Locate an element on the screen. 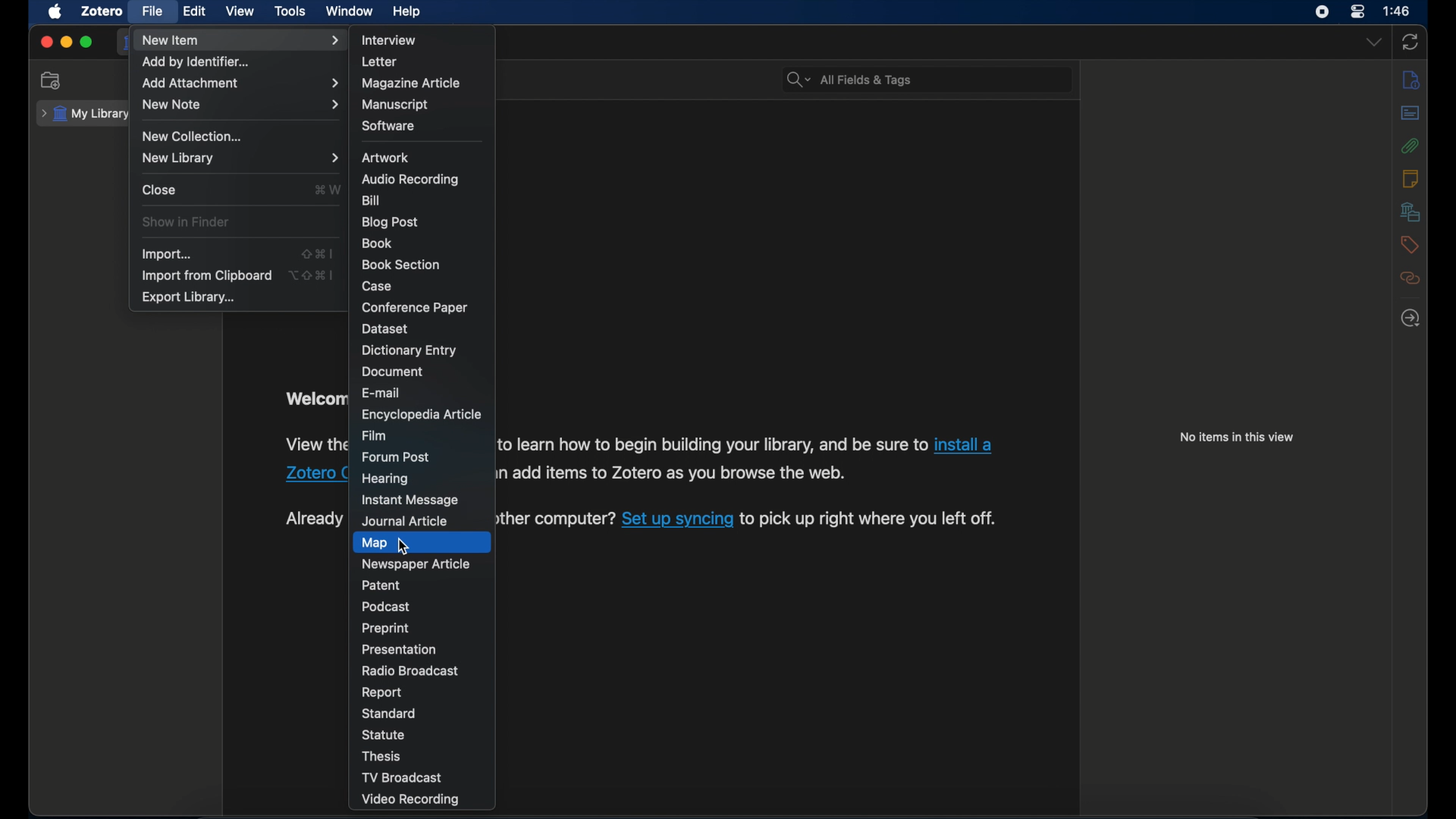 The image size is (1456, 819). show in finder is located at coordinates (186, 222).